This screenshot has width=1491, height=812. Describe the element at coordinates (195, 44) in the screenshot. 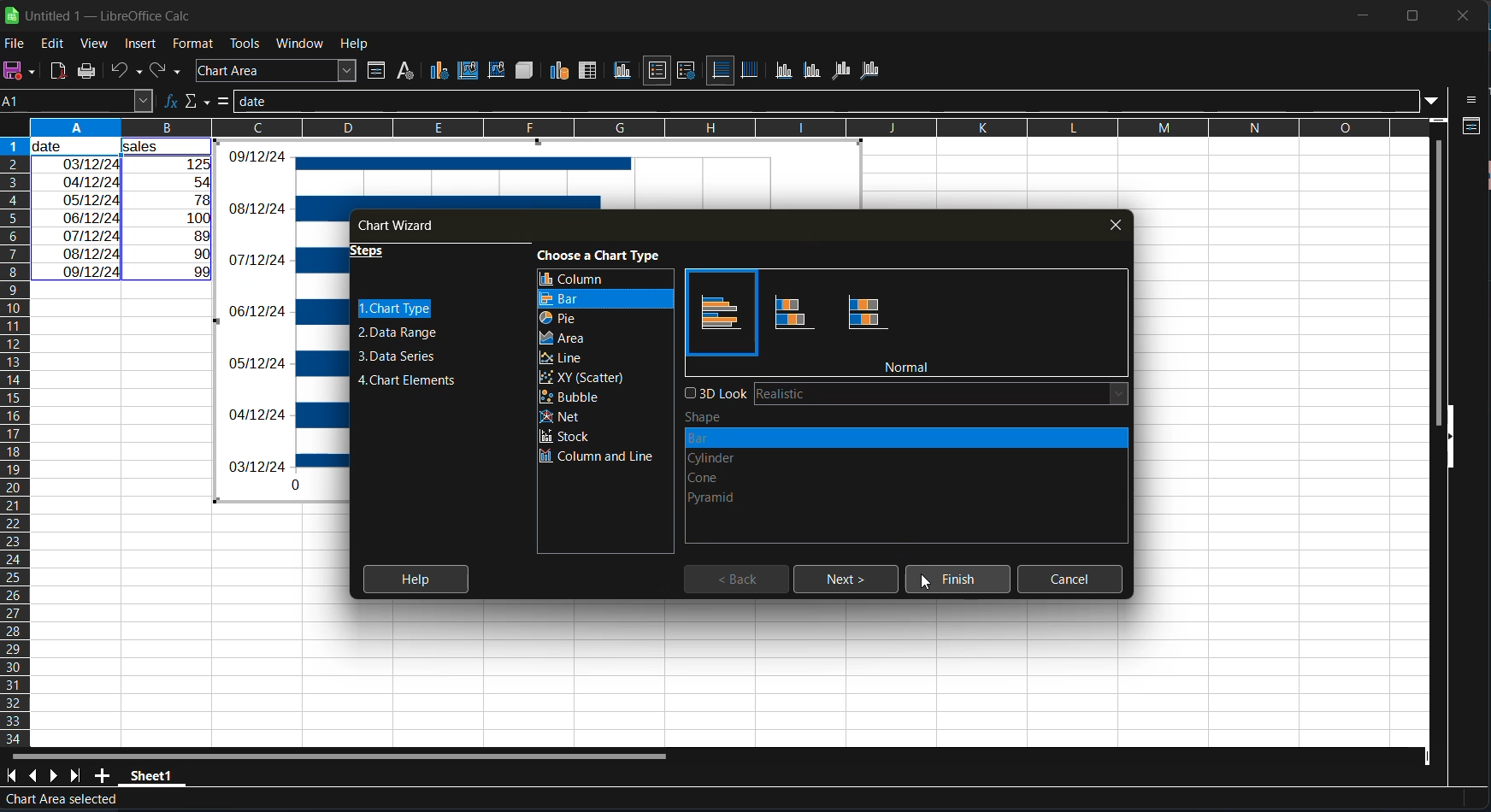

I see `format` at that location.